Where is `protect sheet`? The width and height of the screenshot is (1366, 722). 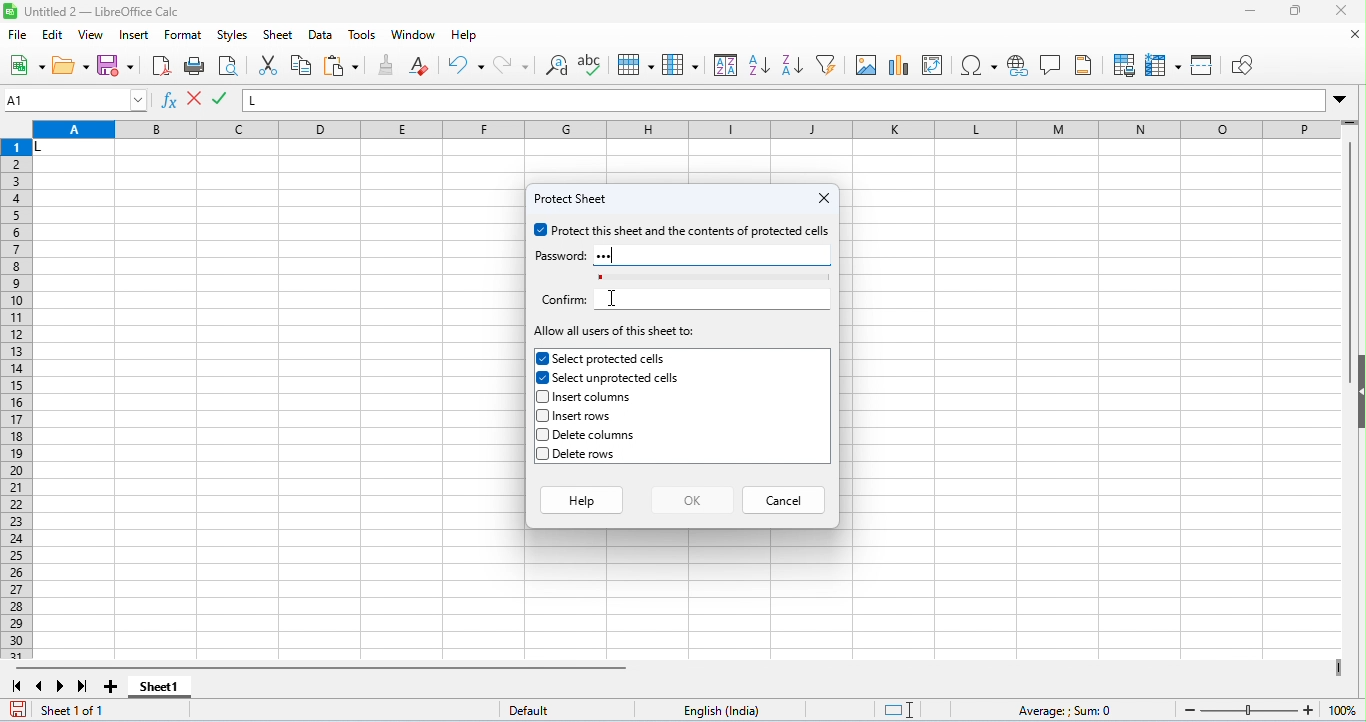
protect sheet is located at coordinates (575, 199).